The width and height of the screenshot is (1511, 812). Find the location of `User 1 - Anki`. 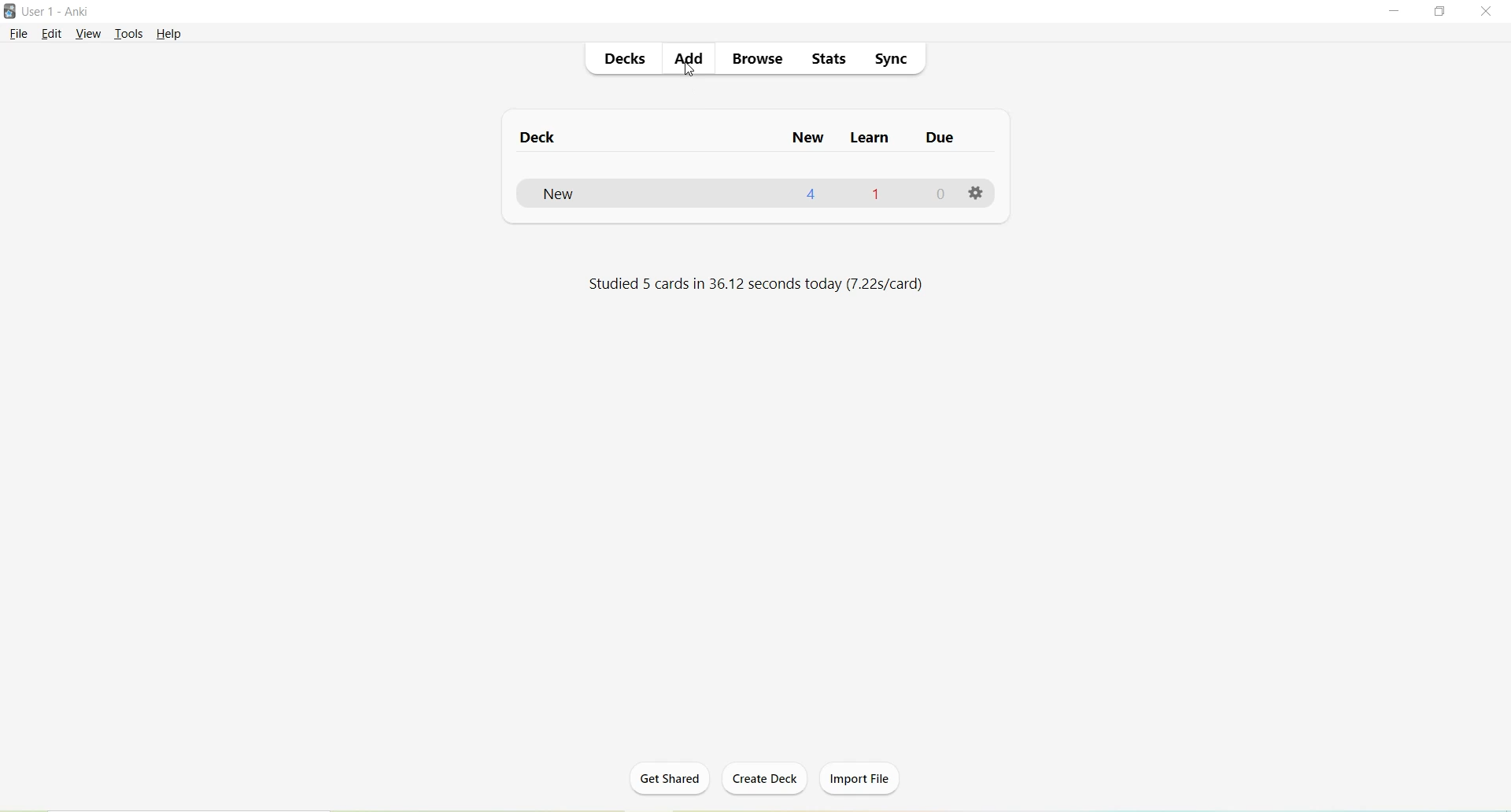

User 1 - Anki is located at coordinates (57, 11).